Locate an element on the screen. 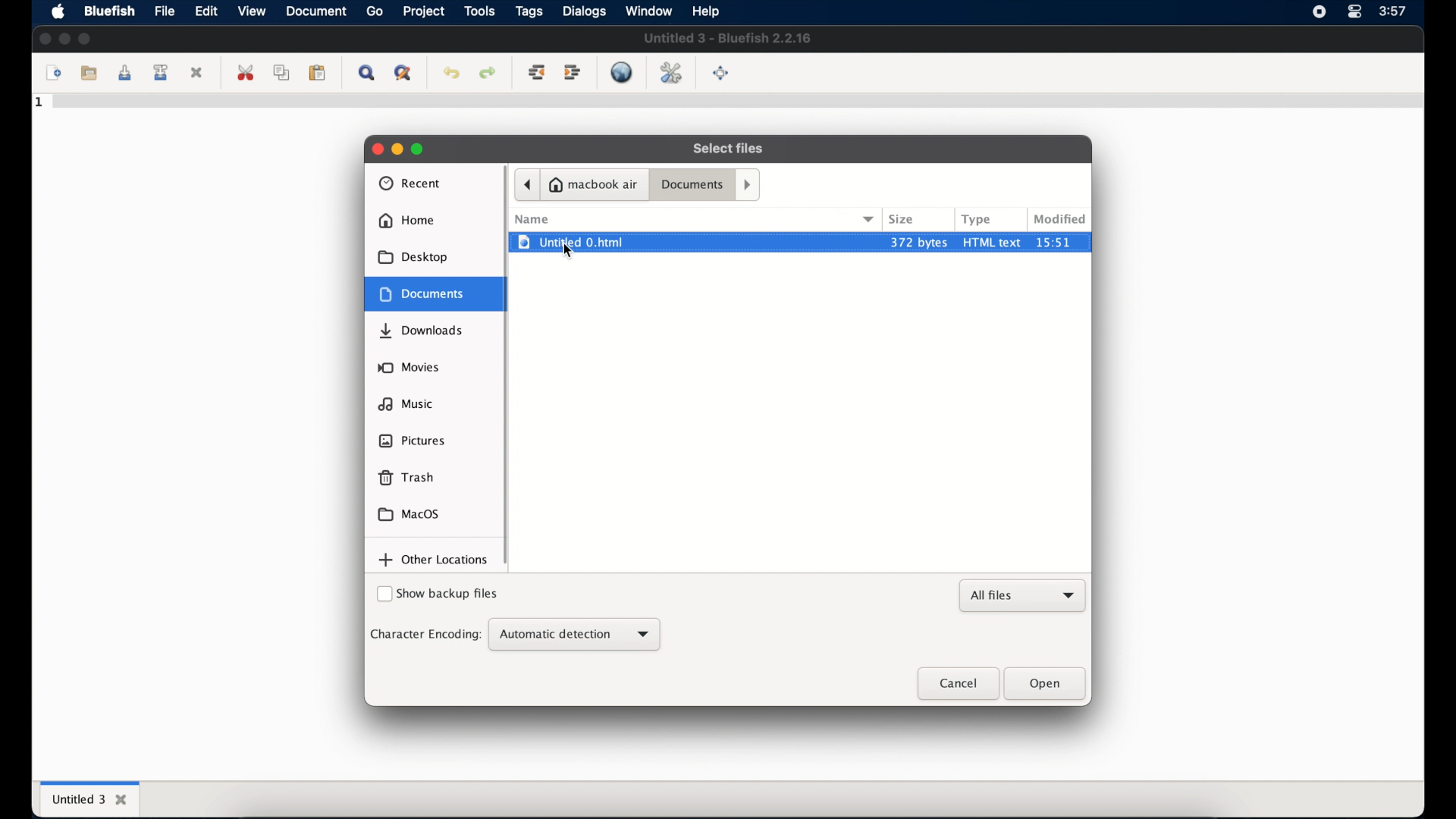  cursor is located at coordinates (569, 251).